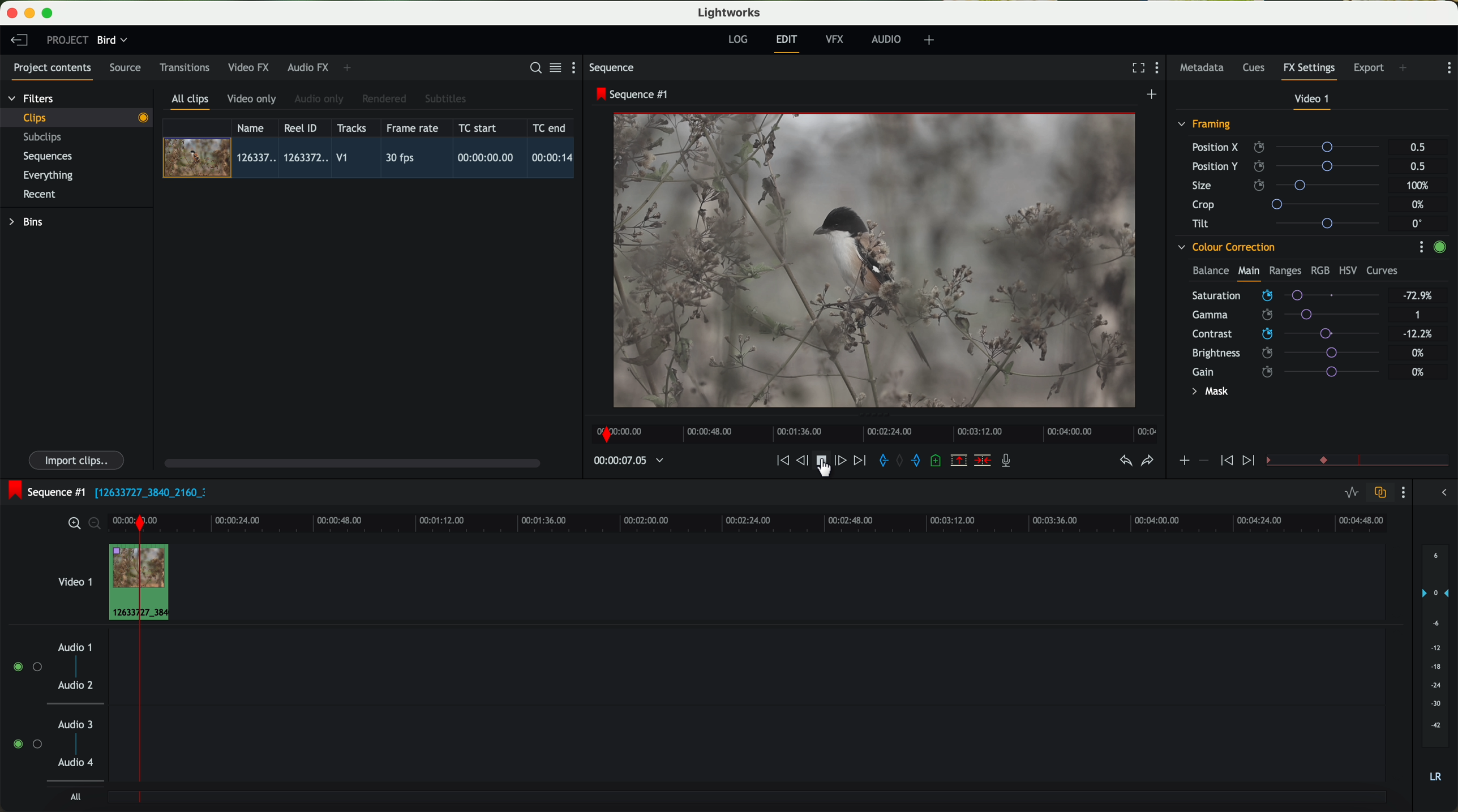 This screenshot has width=1458, height=812. What do you see at coordinates (1418, 296) in the screenshot?
I see `73.8%` at bounding box center [1418, 296].